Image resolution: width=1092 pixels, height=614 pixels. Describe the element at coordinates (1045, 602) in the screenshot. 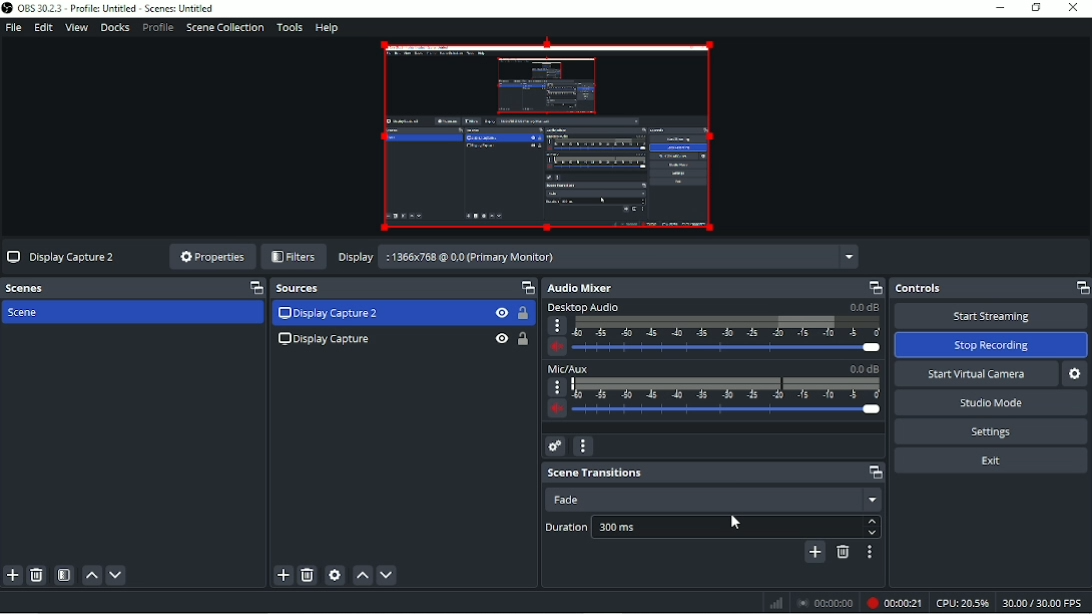

I see `30.00/30.00 FPS` at that location.